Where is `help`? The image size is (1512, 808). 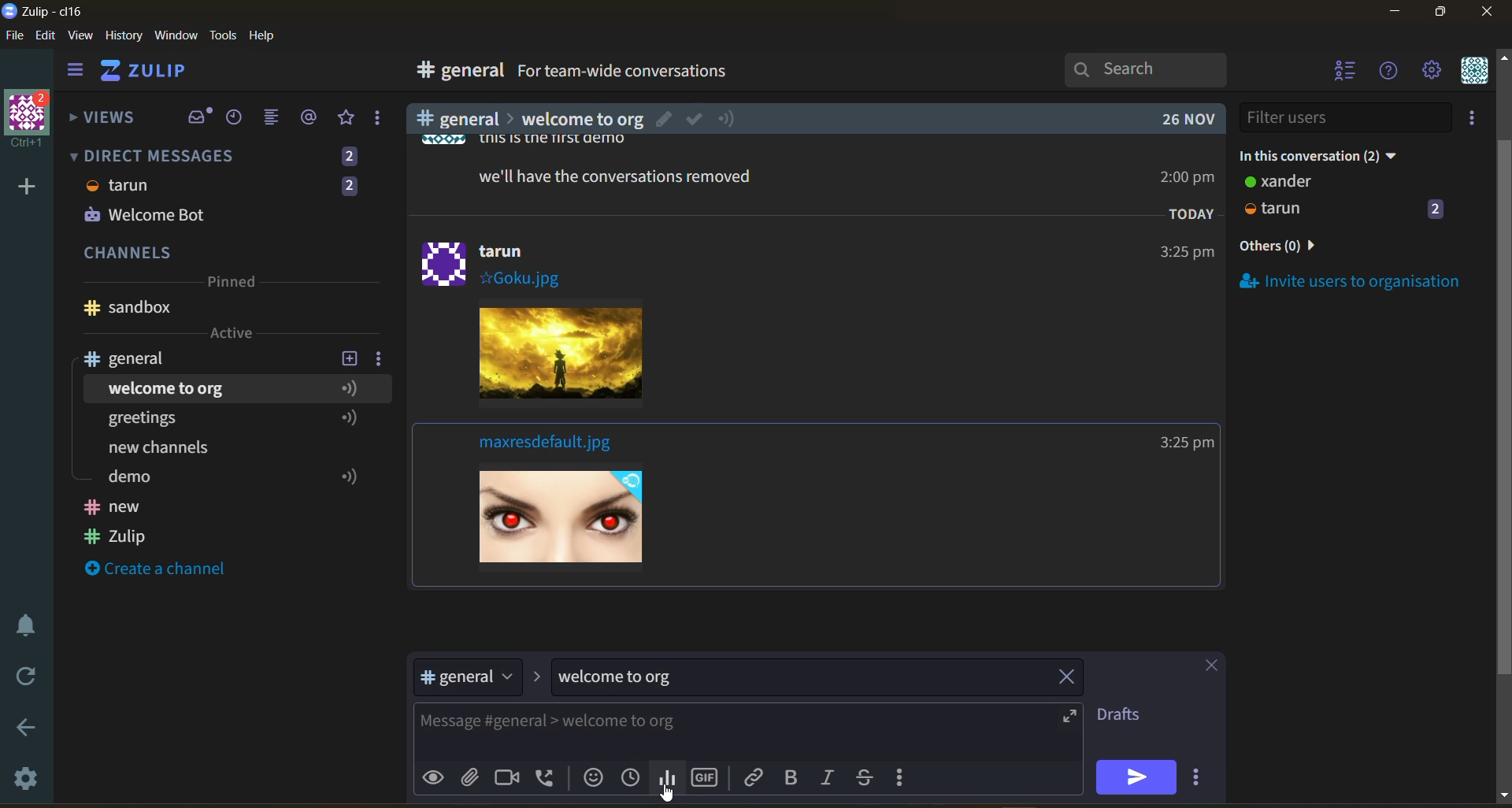
help is located at coordinates (268, 36).